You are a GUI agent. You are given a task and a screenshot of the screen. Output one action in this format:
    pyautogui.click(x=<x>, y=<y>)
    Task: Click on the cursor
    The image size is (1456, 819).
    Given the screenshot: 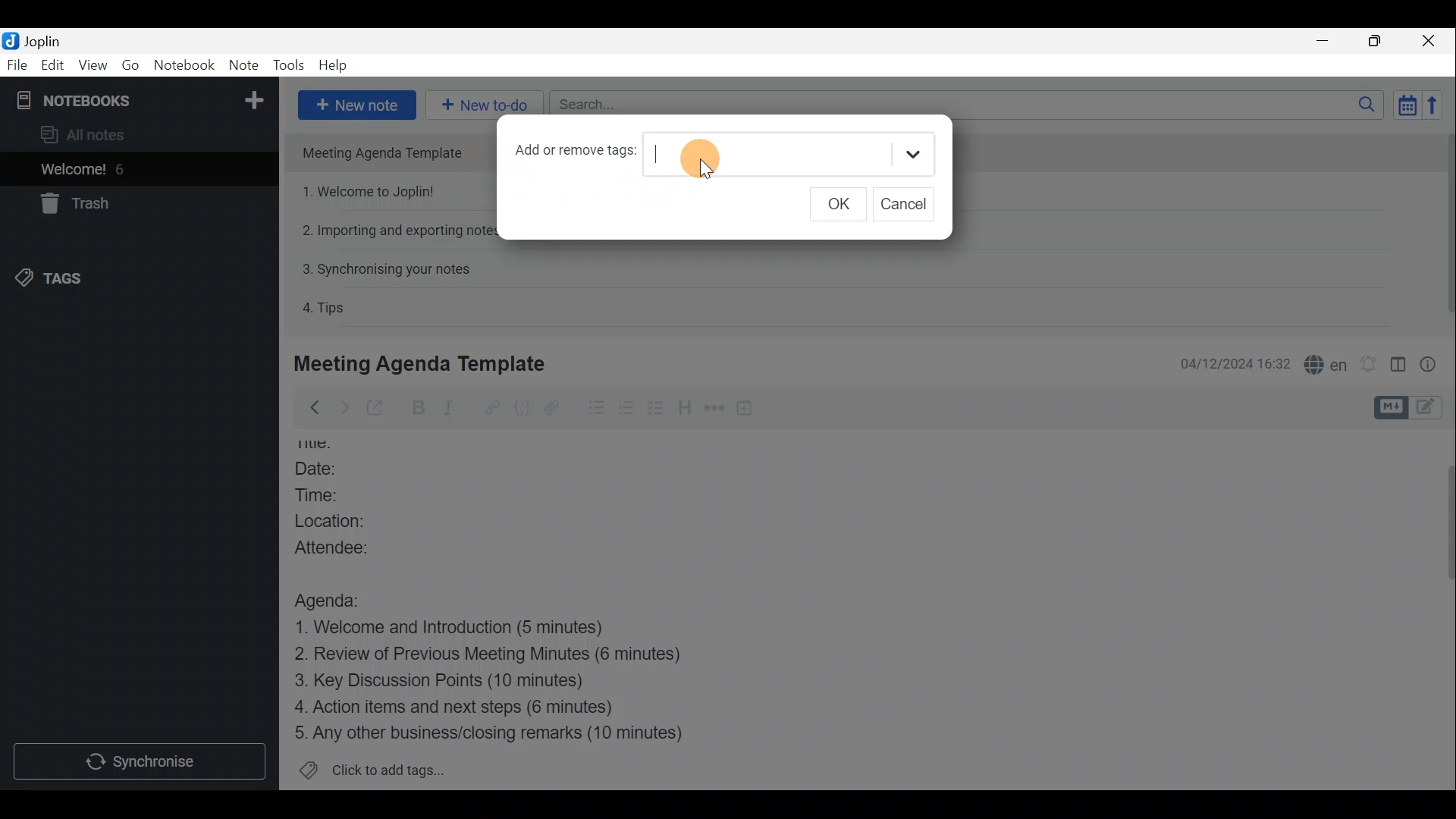 What is the action you would take?
    pyautogui.click(x=699, y=160)
    